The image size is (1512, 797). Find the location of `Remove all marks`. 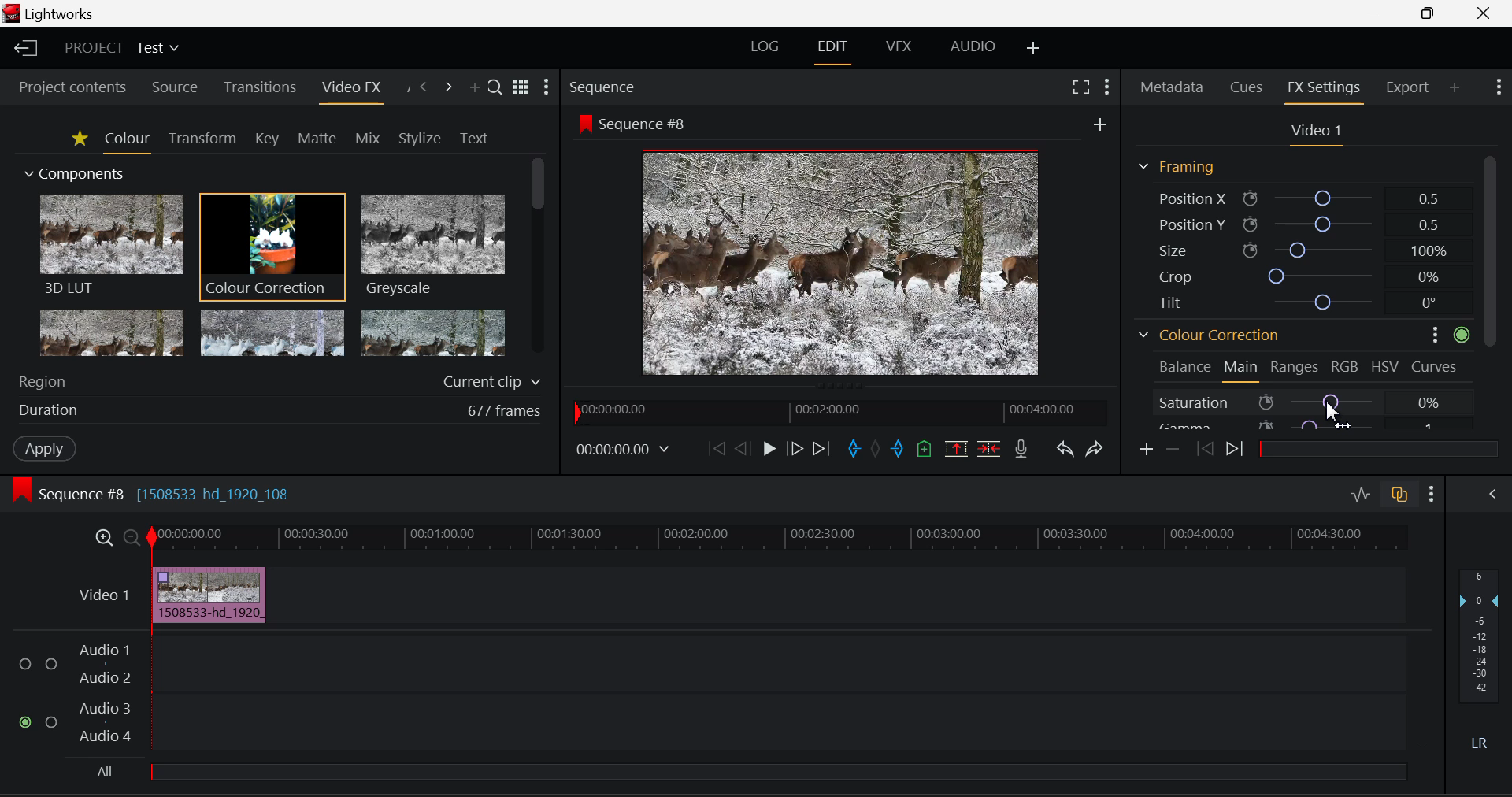

Remove all marks is located at coordinates (875, 449).